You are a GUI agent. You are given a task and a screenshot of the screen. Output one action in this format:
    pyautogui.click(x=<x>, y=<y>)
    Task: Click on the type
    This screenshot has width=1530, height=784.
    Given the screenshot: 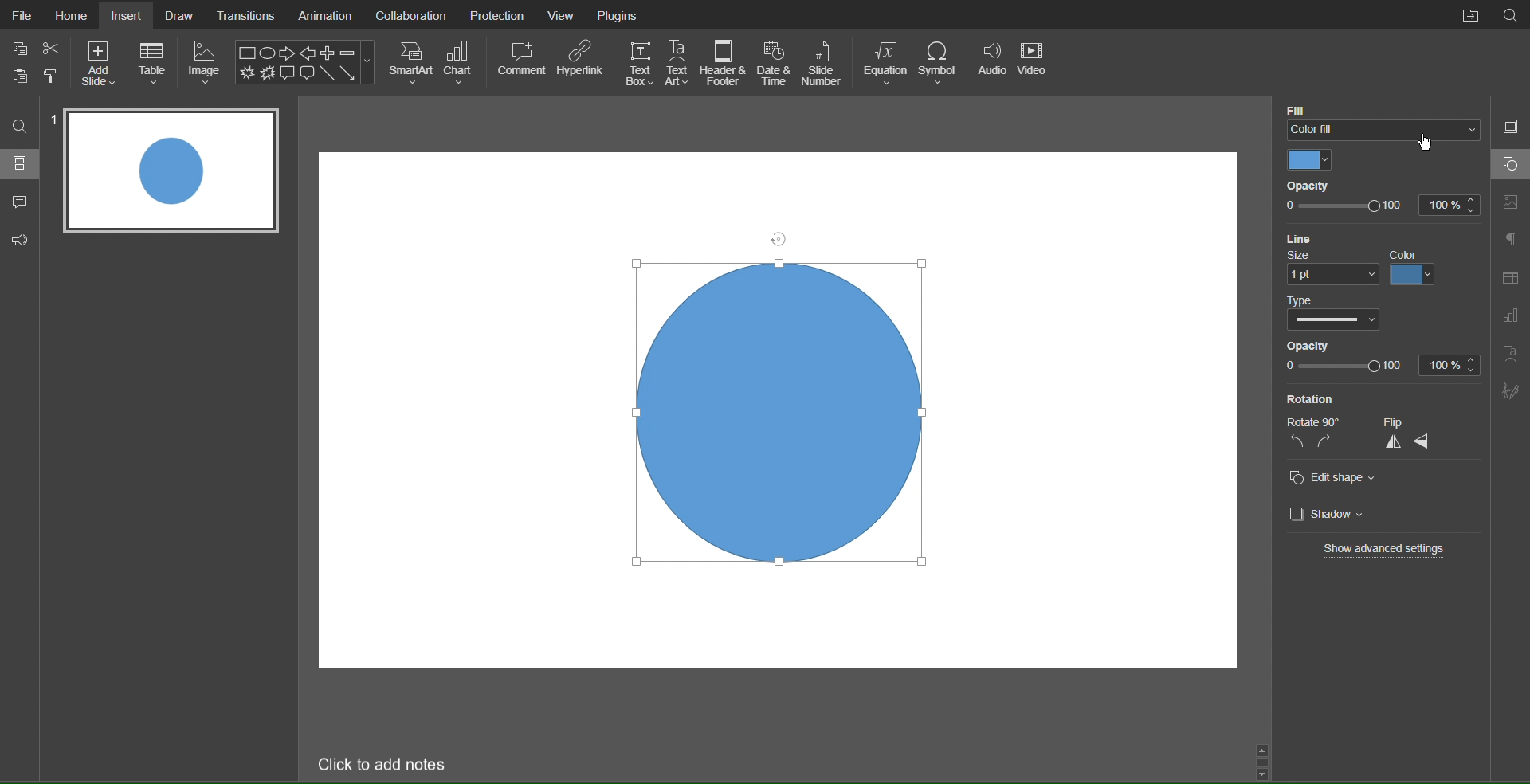 What is the action you would take?
    pyautogui.click(x=1300, y=300)
    